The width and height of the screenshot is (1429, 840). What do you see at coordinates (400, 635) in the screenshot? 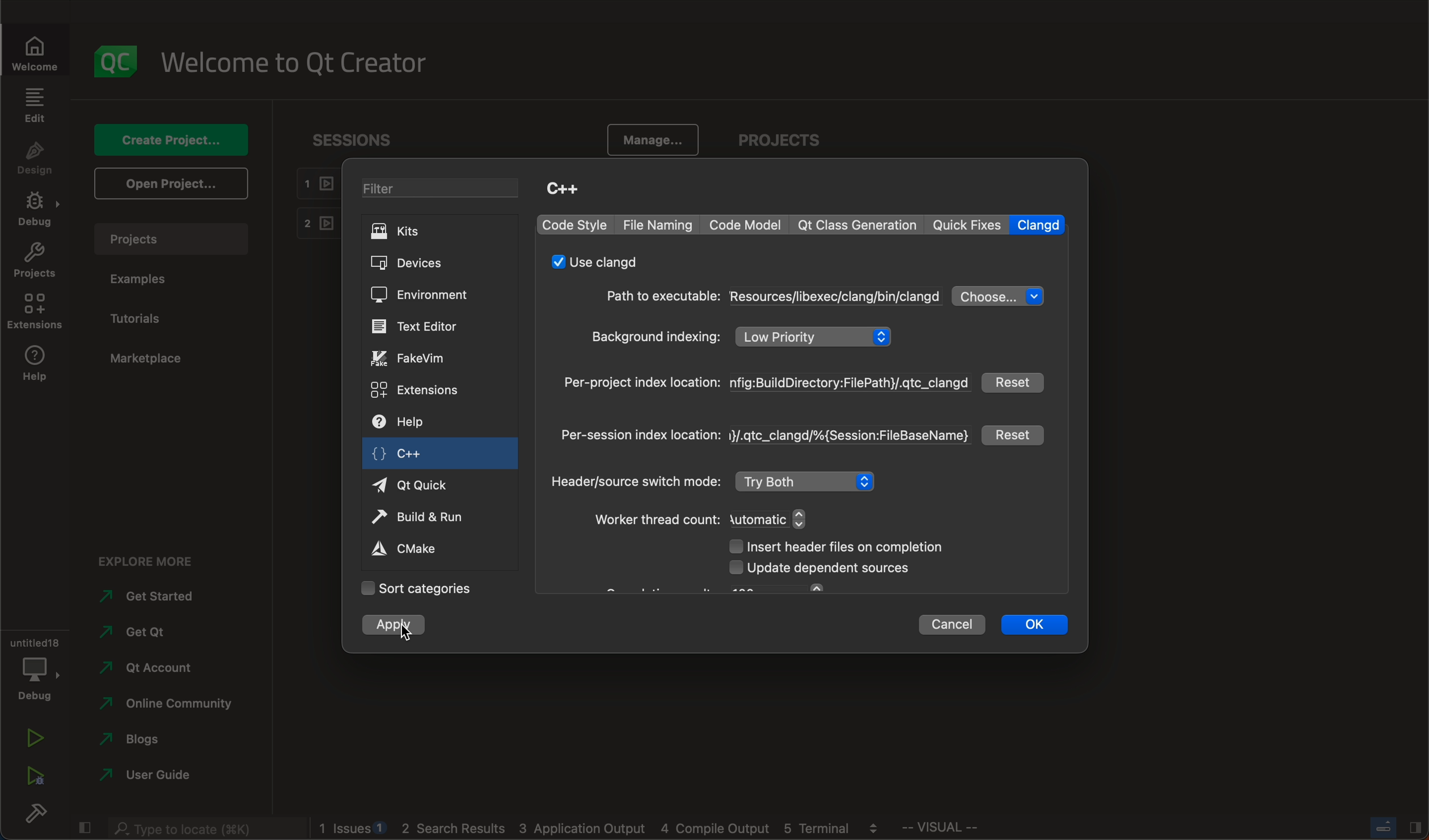
I see `cursor` at bounding box center [400, 635].